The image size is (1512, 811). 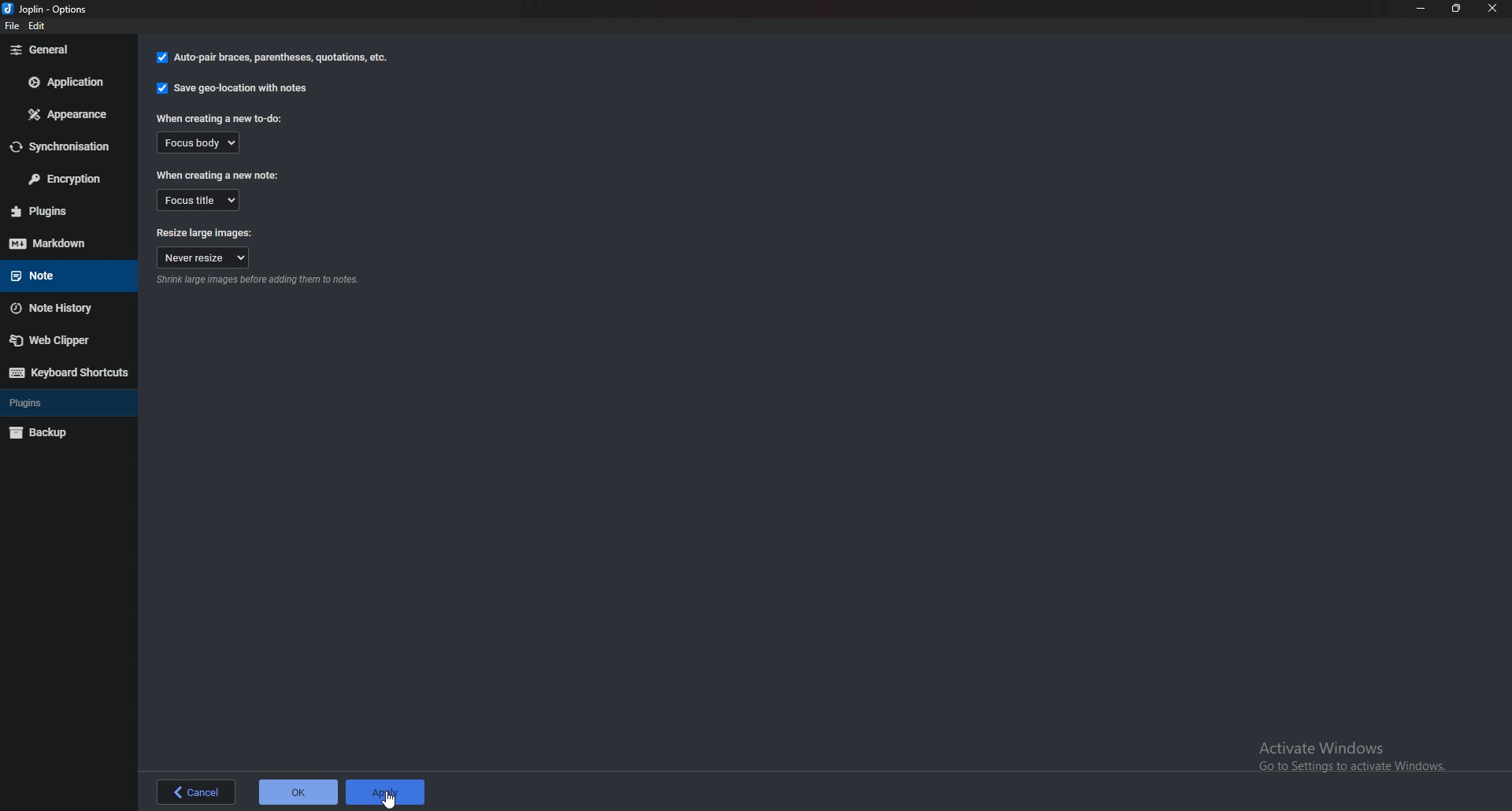 What do you see at coordinates (64, 339) in the screenshot?
I see `Web clipper` at bounding box center [64, 339].